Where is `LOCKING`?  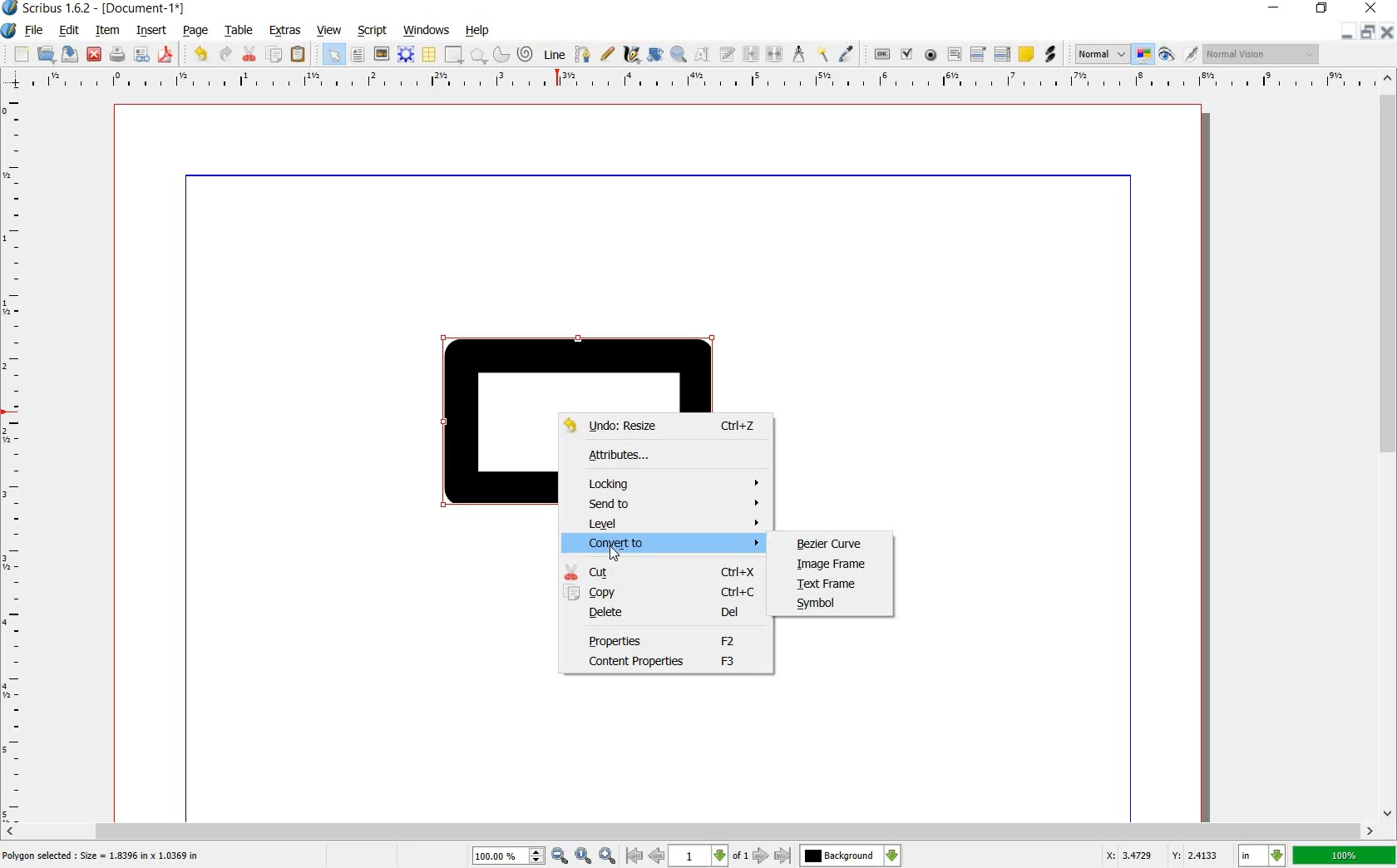 LOCKING is located at coordinates (669, 481).